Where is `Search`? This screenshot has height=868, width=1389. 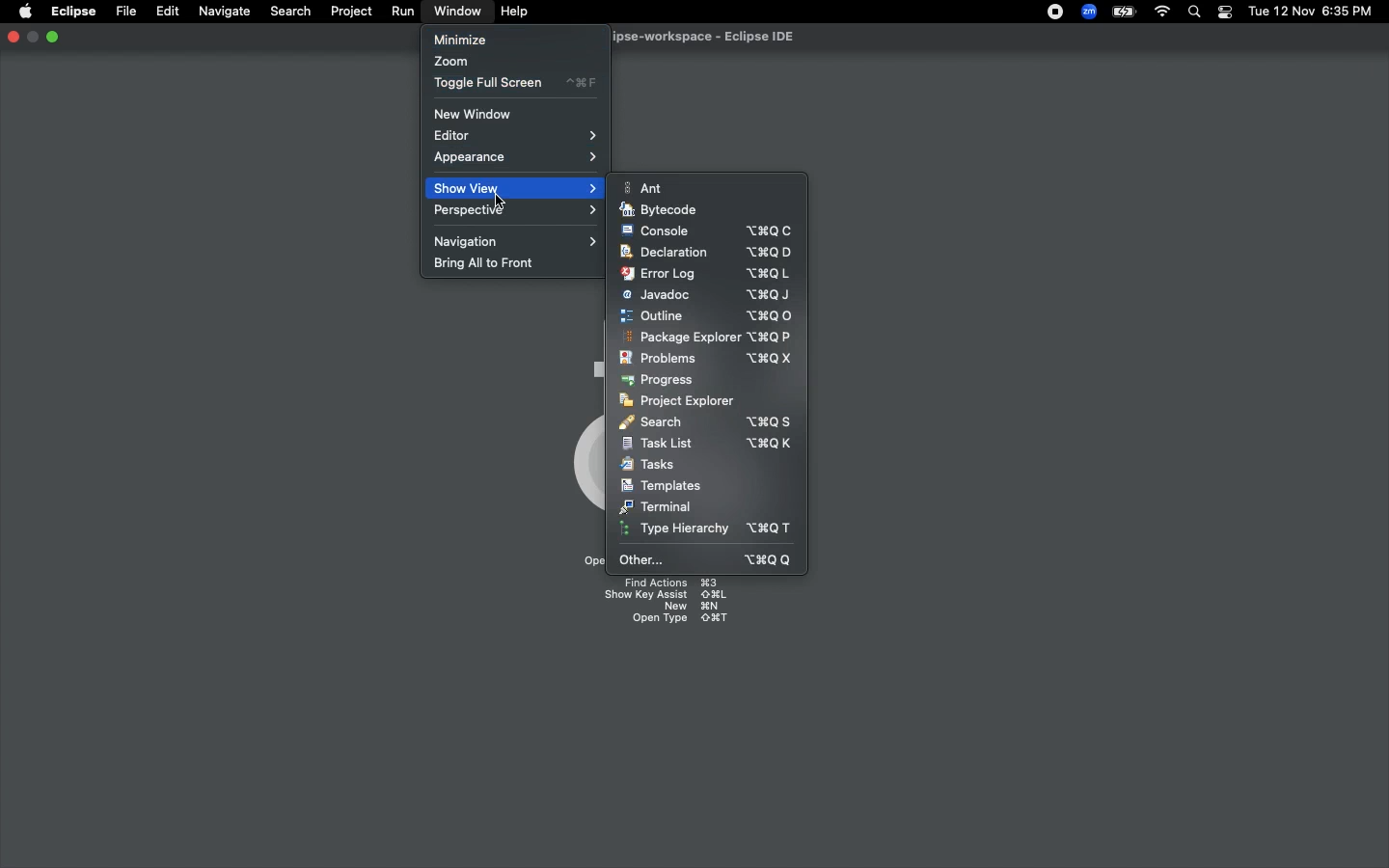
Search is located at coordinates (1195, 14).